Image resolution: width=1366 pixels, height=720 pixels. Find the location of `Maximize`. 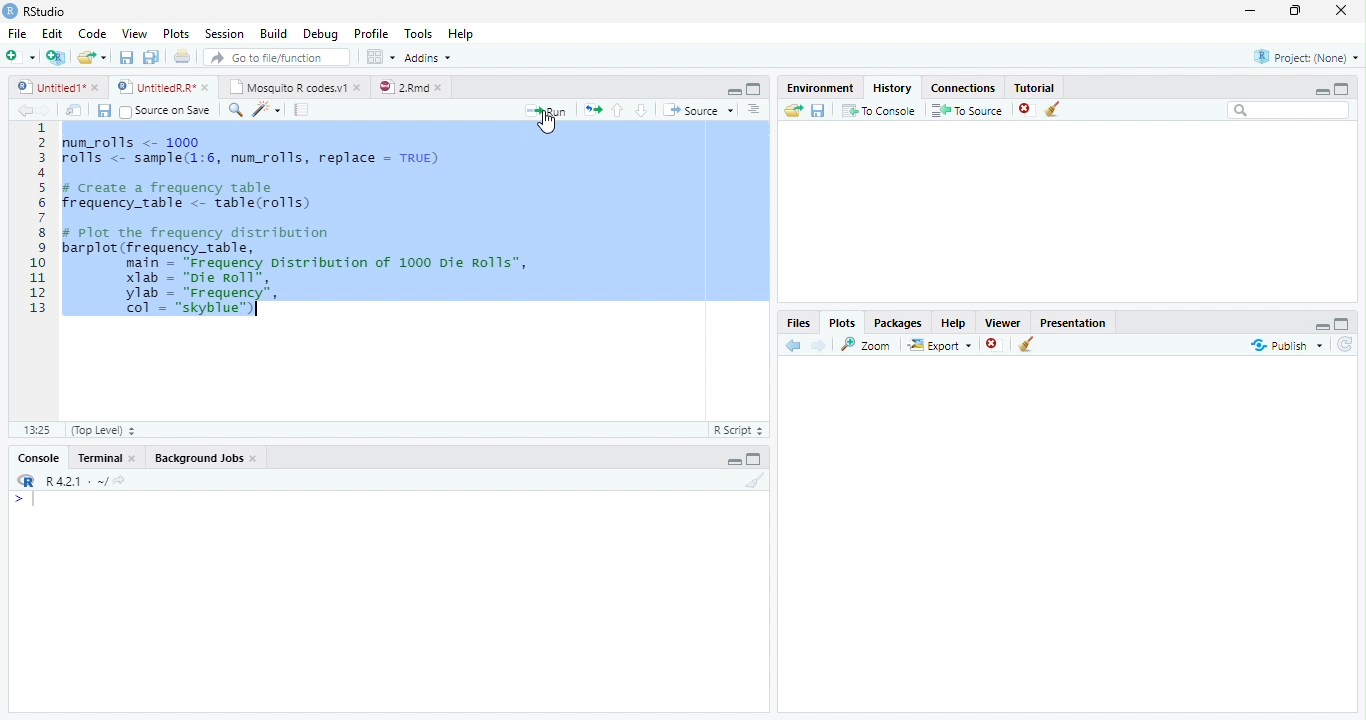

Maximize is located at coordinates (1296, 11).